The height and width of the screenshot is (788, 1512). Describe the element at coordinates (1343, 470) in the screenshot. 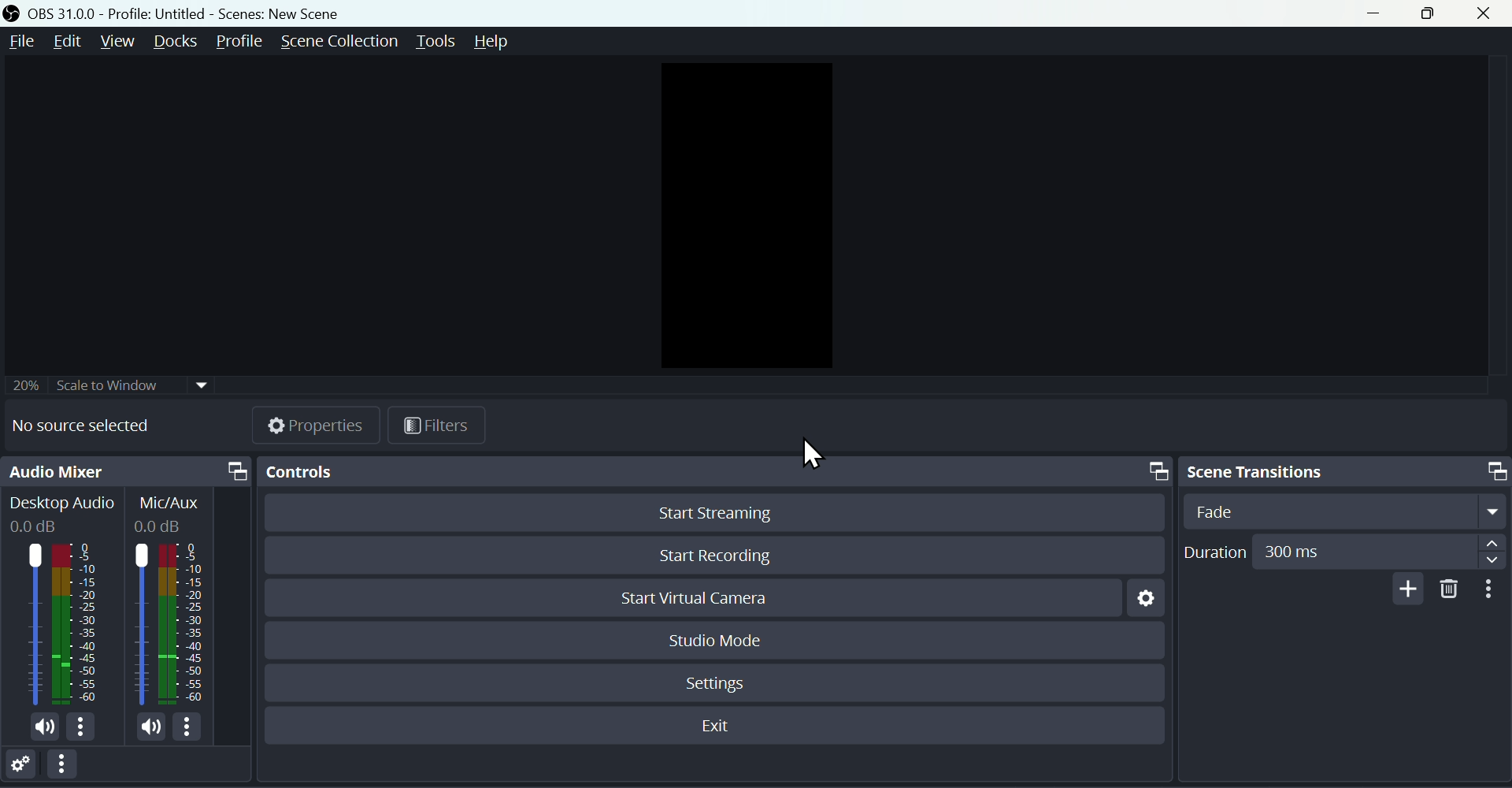

I see `Scene transition` at that location.